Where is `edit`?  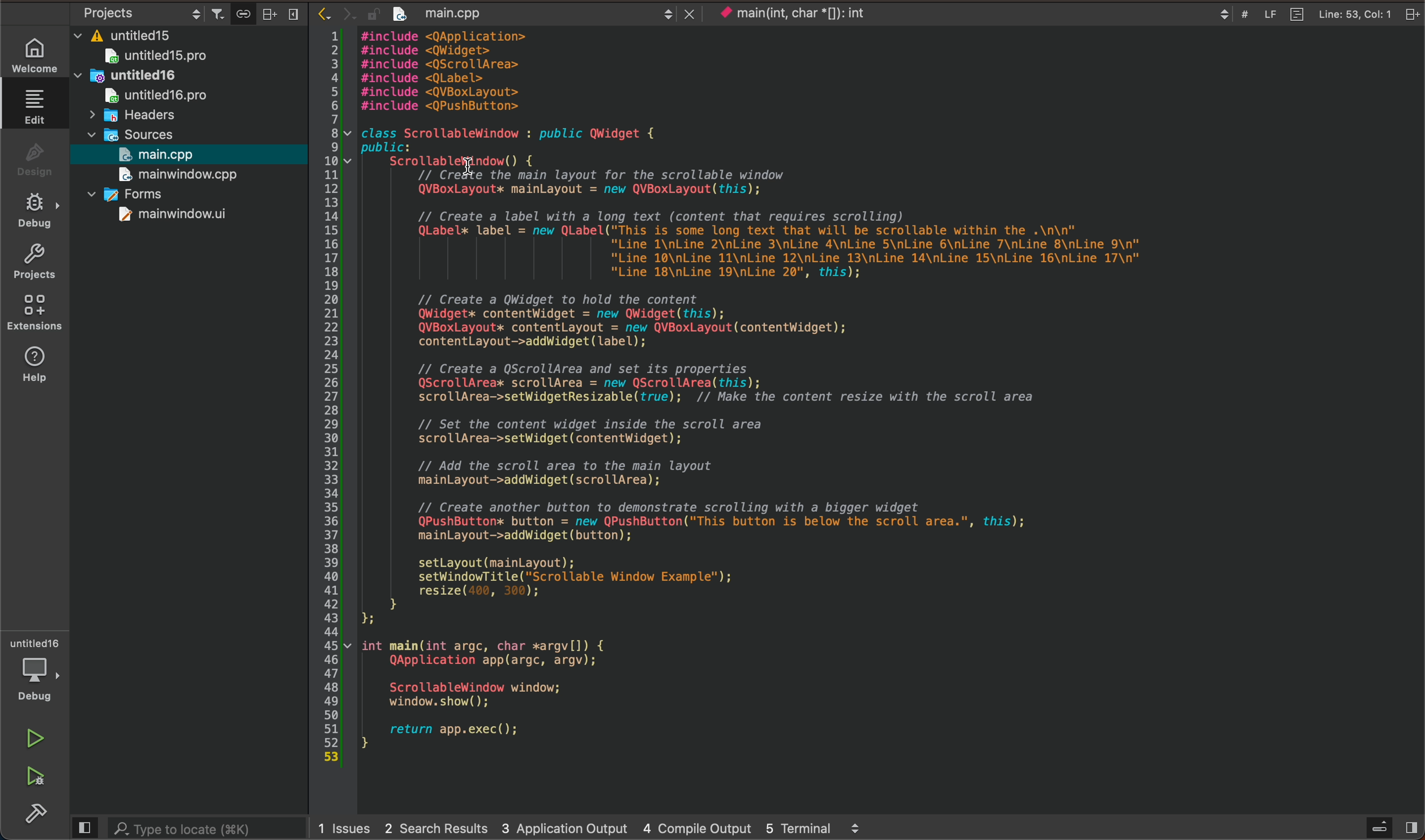
edit is located at coordinates (32, 106).